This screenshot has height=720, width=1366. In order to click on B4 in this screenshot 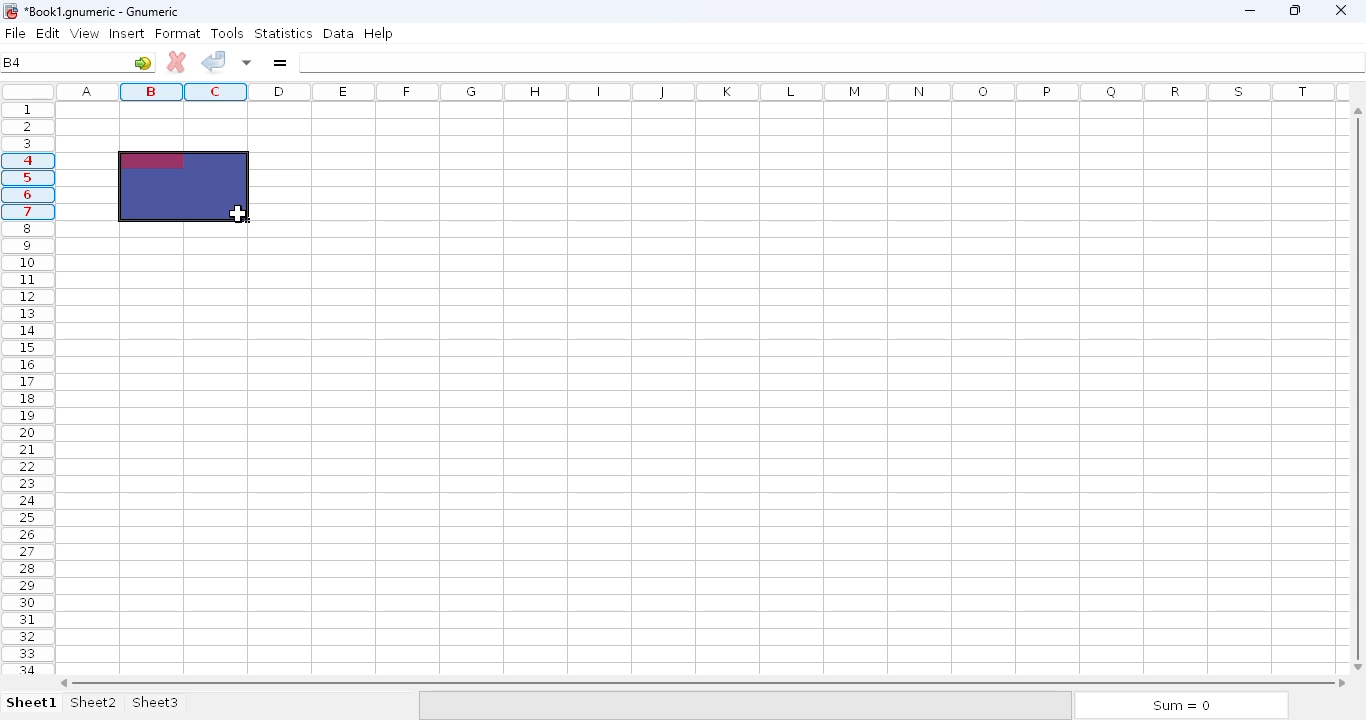, I will do `click(13, 62)`.